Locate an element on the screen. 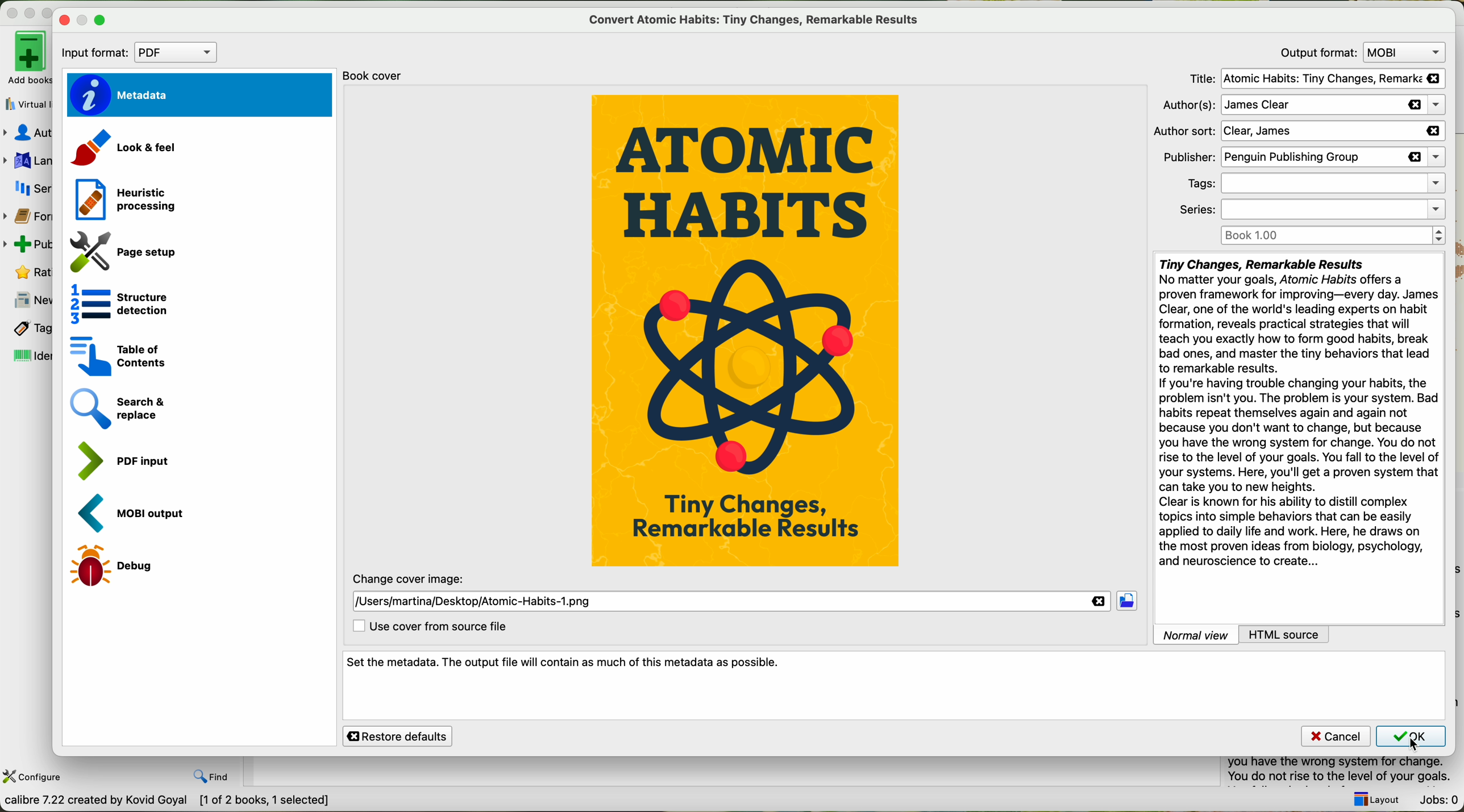  languages is located at coordinates (26, 162).